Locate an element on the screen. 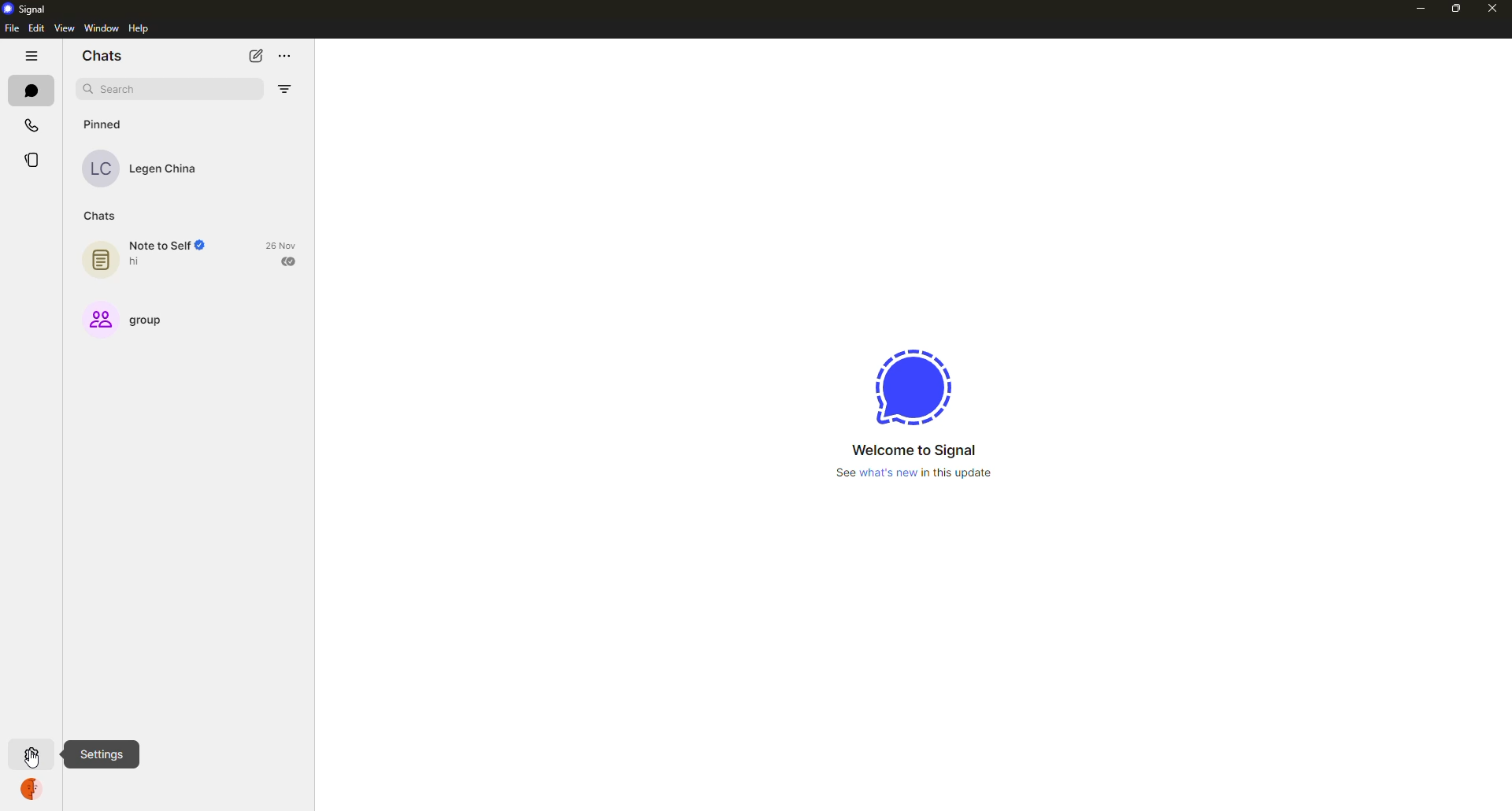  more is located at coordinates (294, 54).